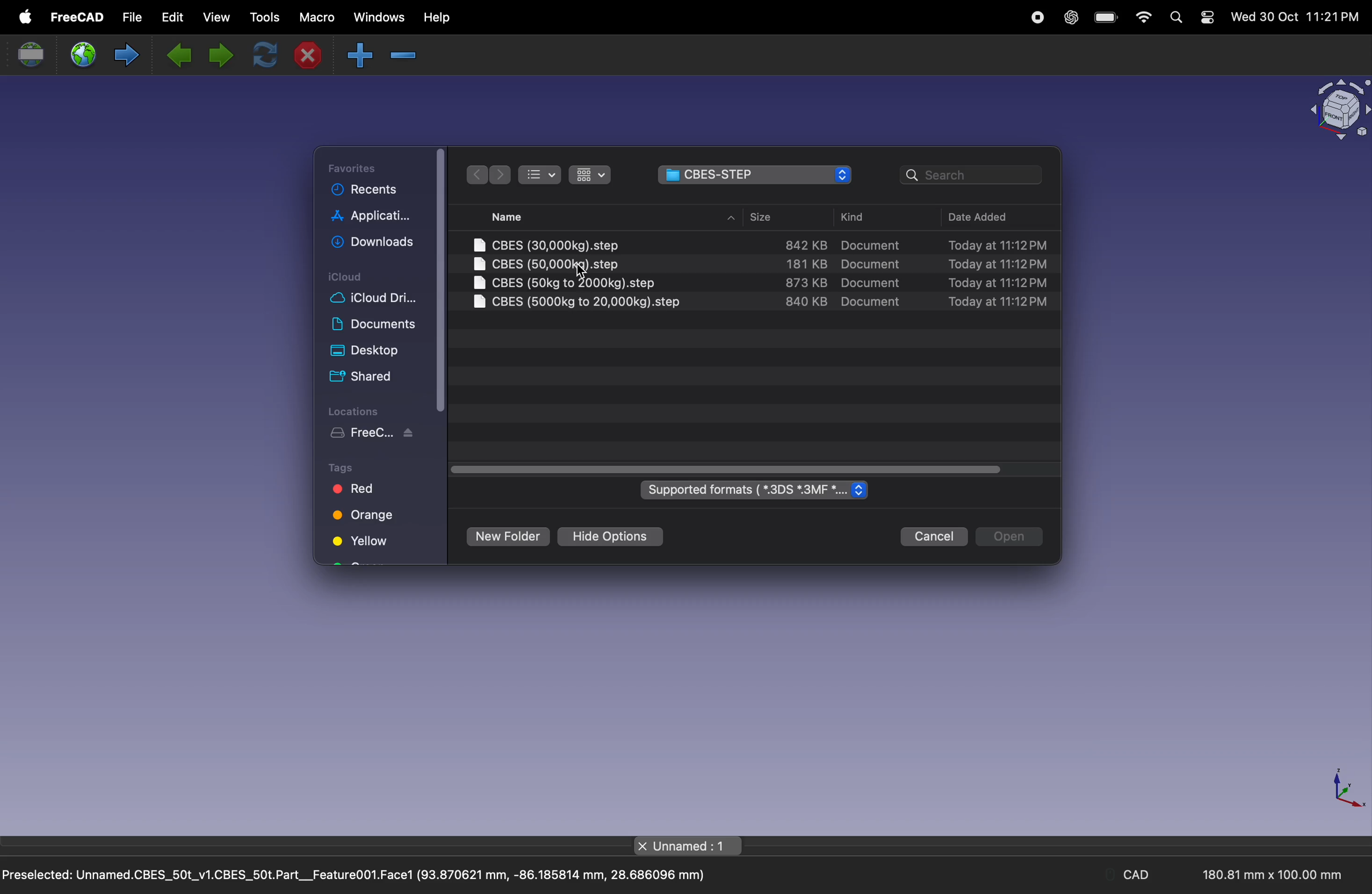  I want to click on cloud drive, so click(376, 300).